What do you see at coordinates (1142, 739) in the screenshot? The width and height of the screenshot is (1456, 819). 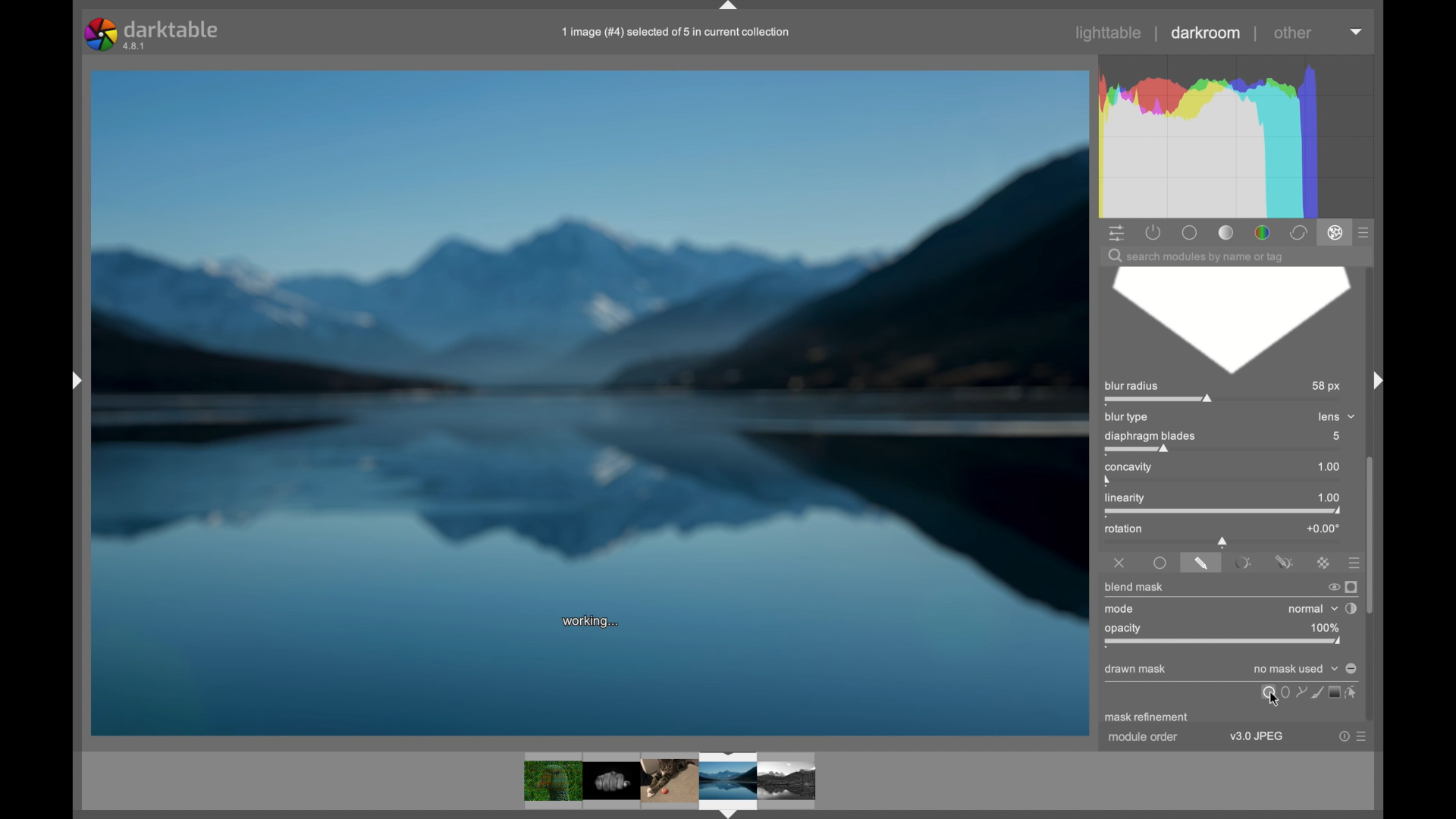 I see `module order` at bounding box center [1142, 739].